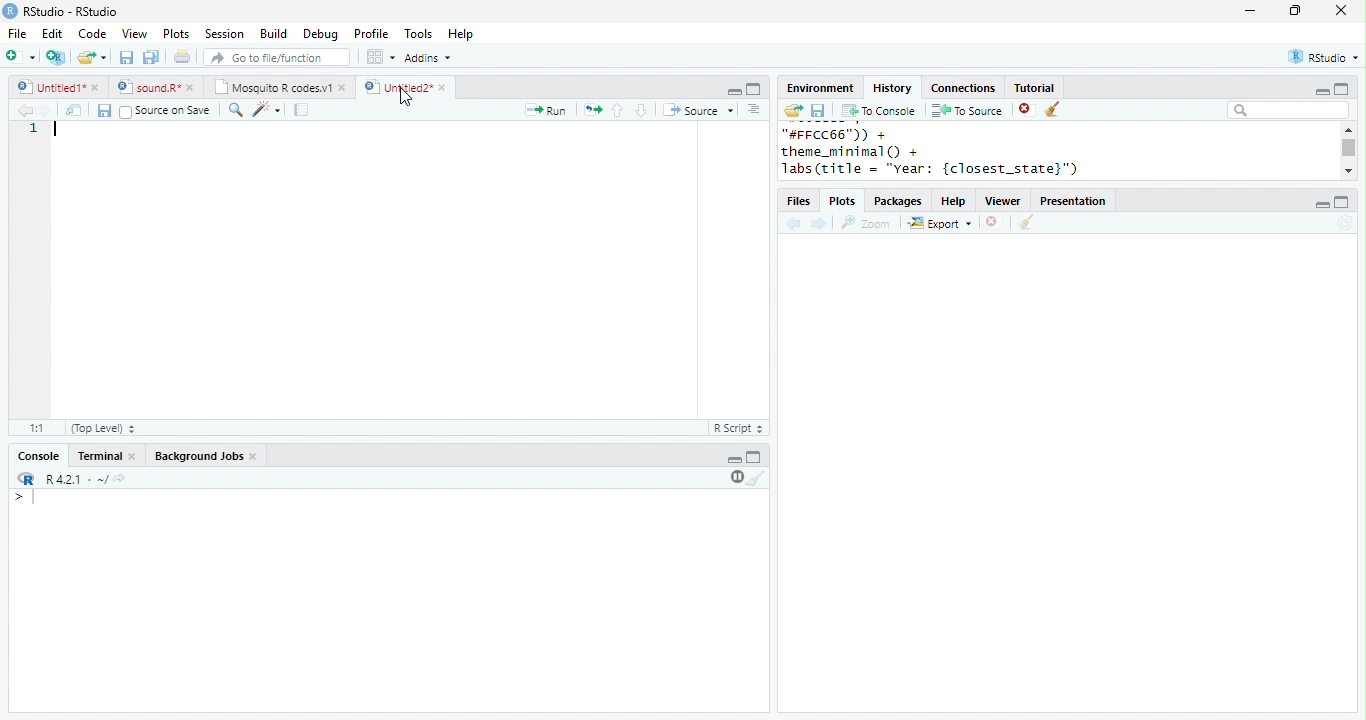 The image size is (1366, 720). I want to click on Source, so click(698, 109).